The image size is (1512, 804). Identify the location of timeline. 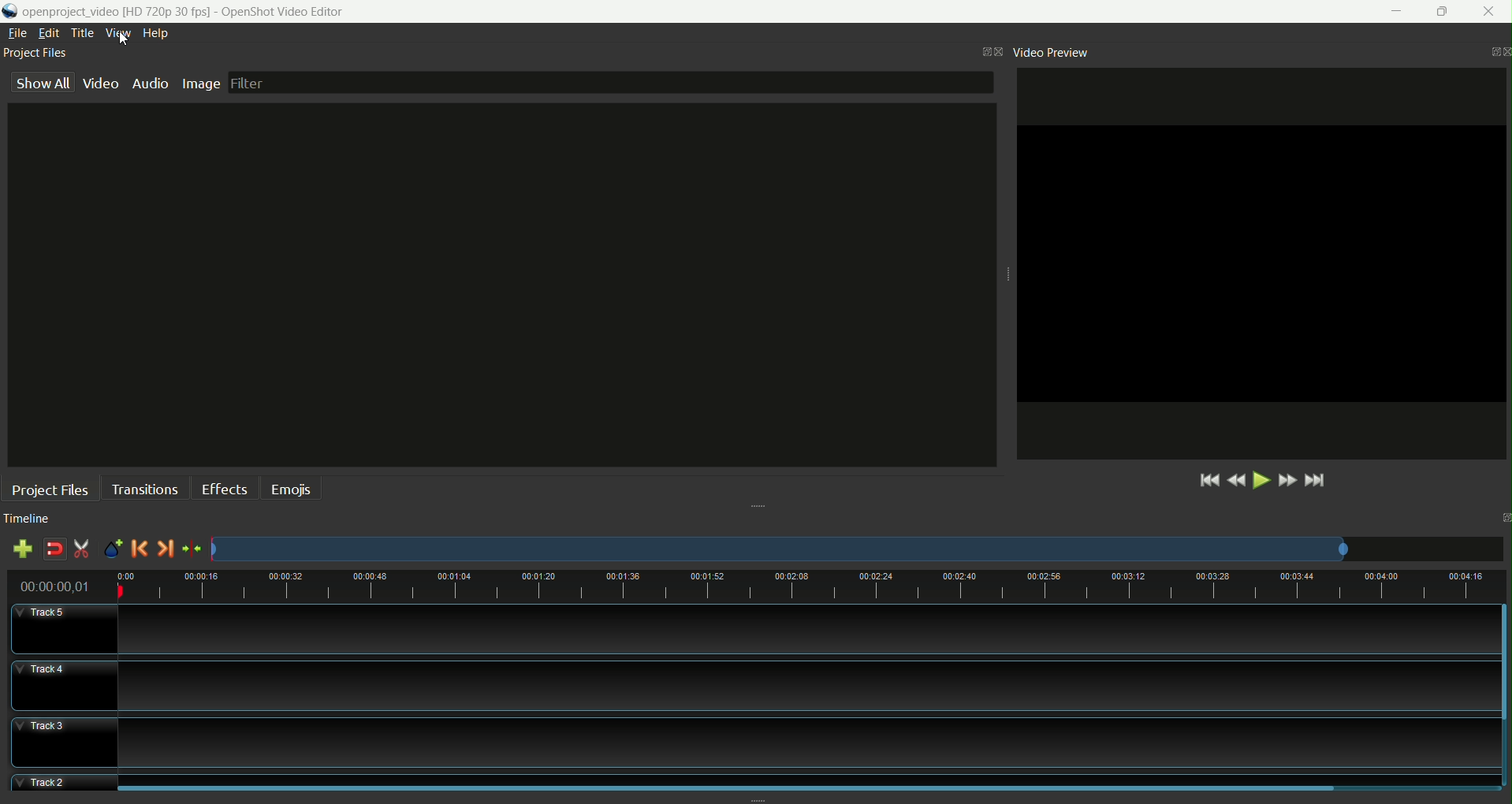
(809, 587).